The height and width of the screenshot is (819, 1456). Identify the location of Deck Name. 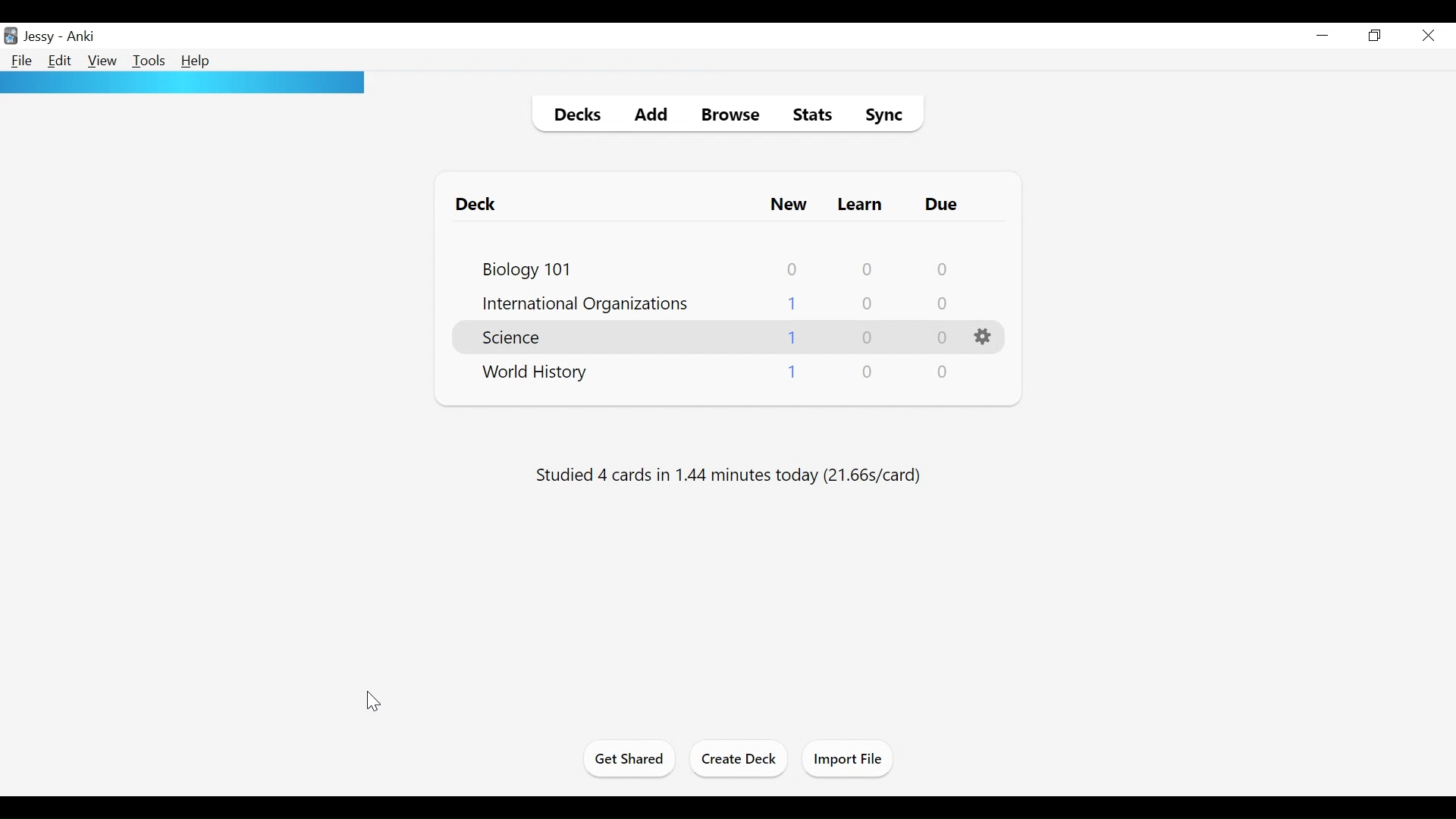
(531, 271).